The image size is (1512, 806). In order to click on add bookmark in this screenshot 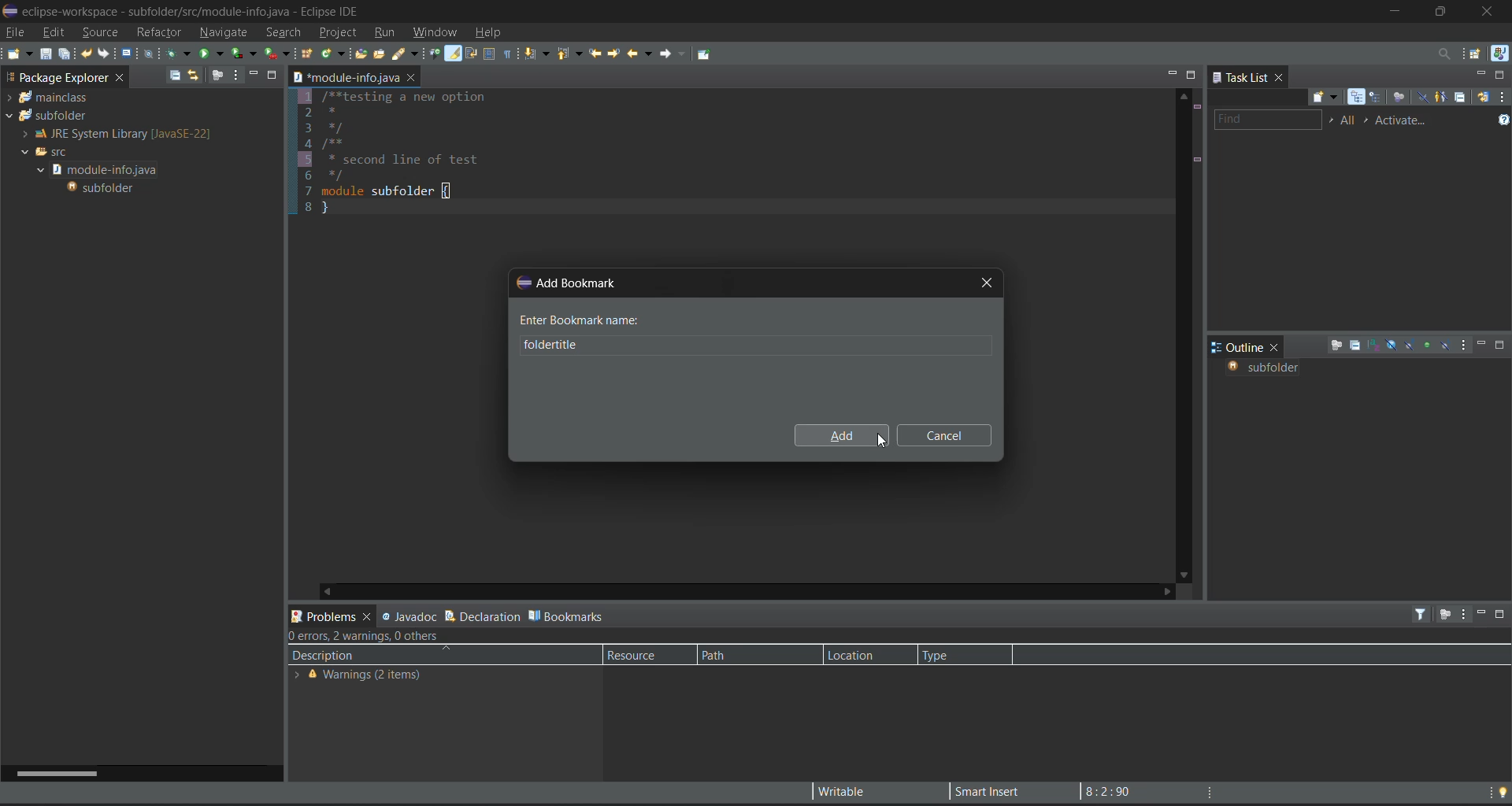, I will do `click(567, 281)`.